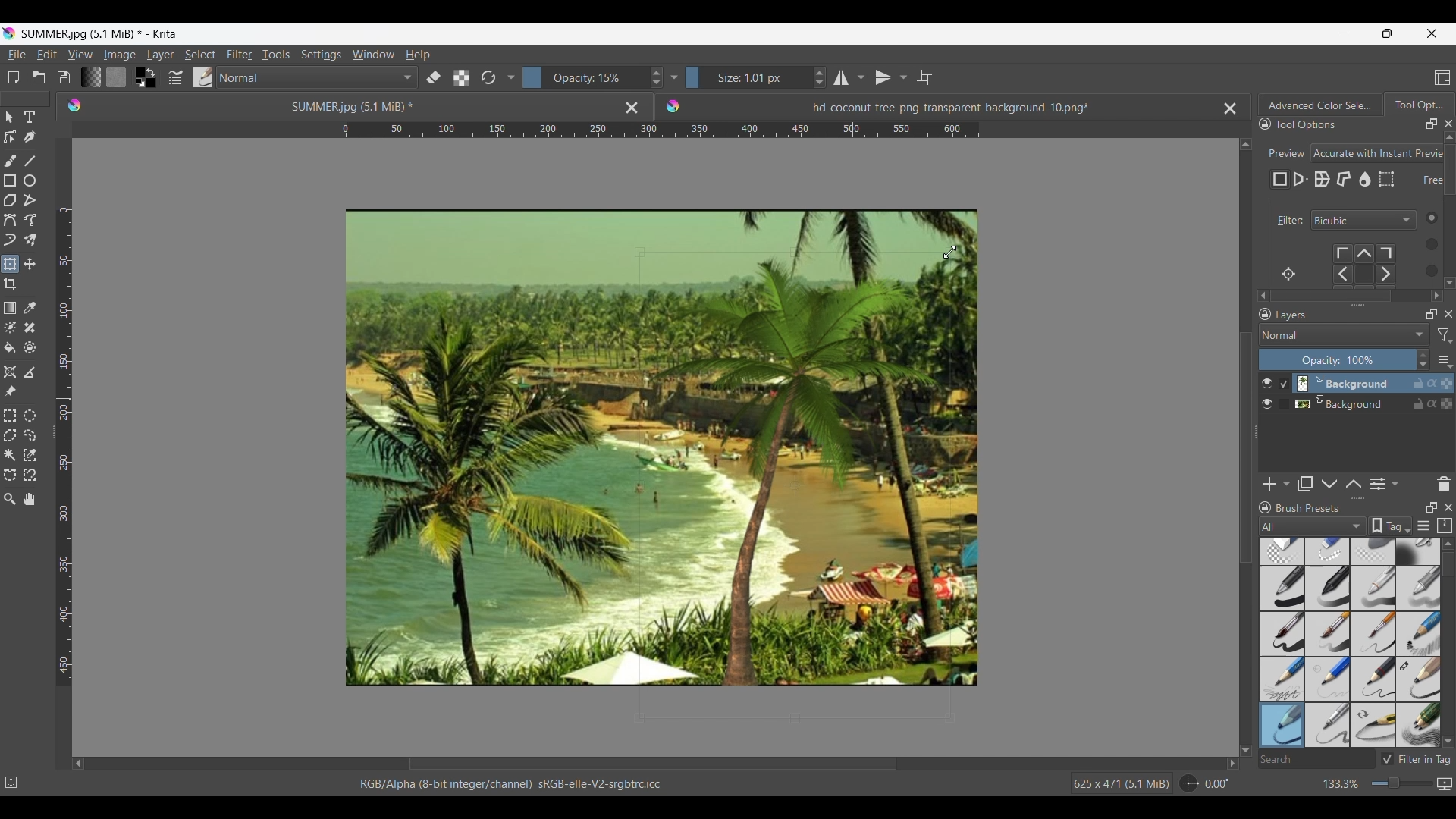 This screenshot has width=1456, height=819. Describe the element at coordinates (160, 55) in the screenshot. I see `Layer` at that location.